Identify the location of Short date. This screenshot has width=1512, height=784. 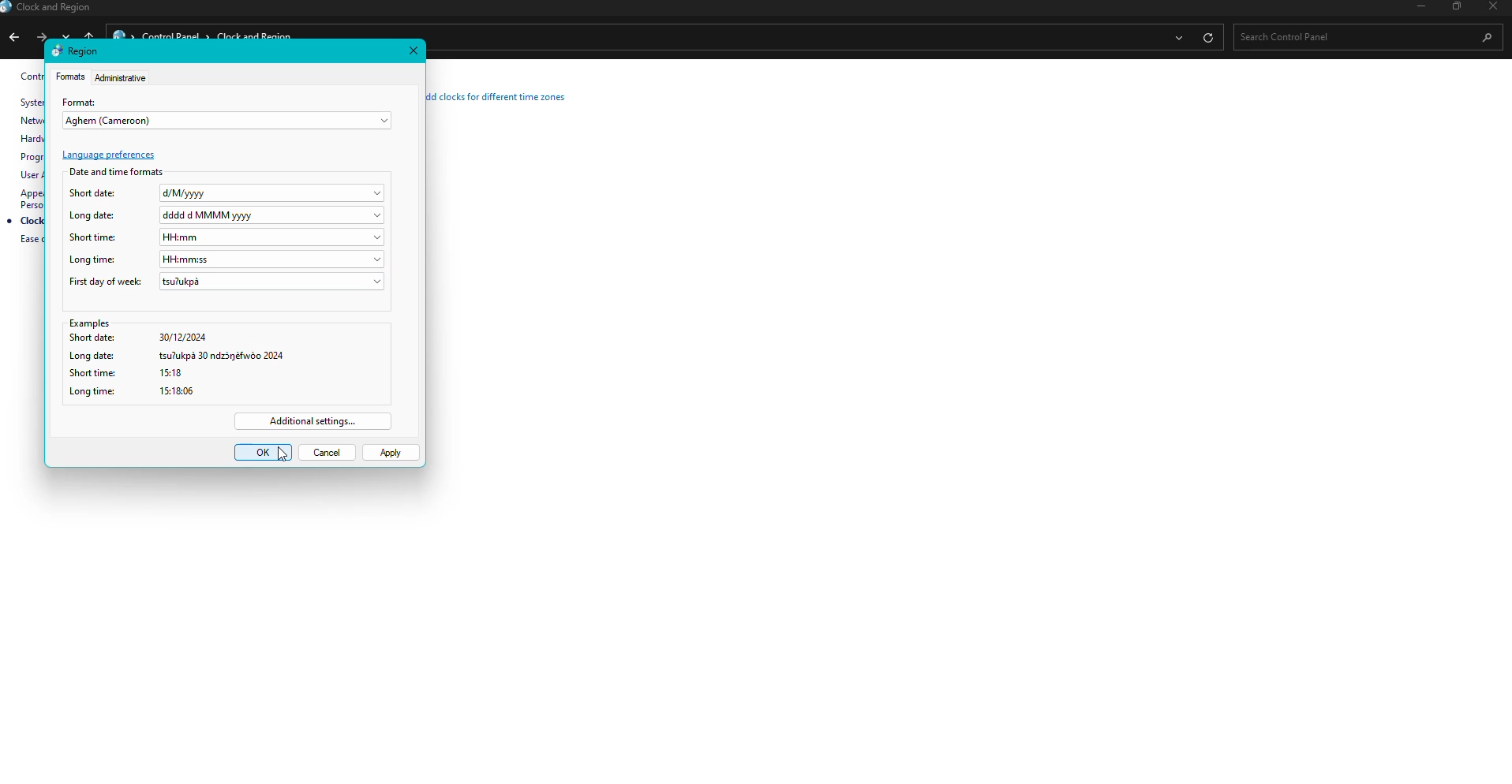
(228, 194).